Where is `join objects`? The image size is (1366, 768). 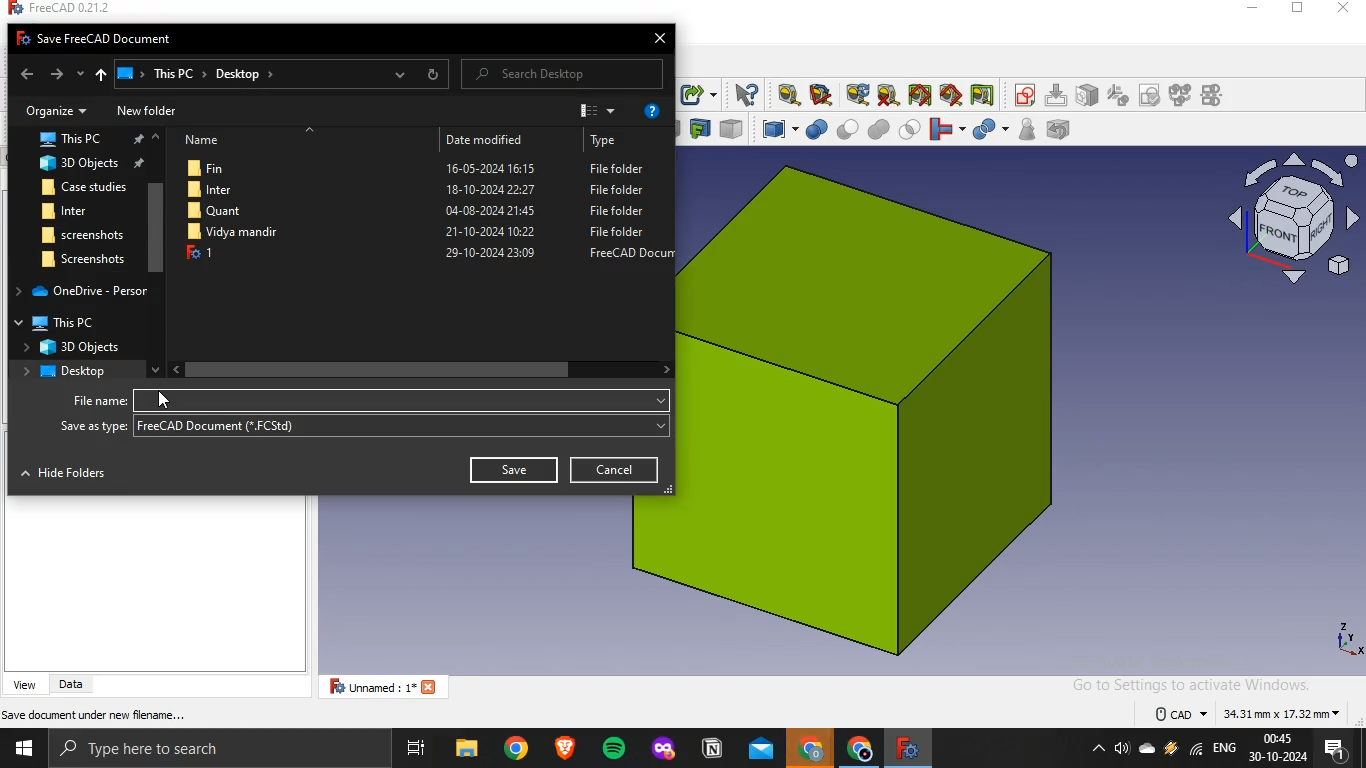 join objects is located at coordinates (944, 127).